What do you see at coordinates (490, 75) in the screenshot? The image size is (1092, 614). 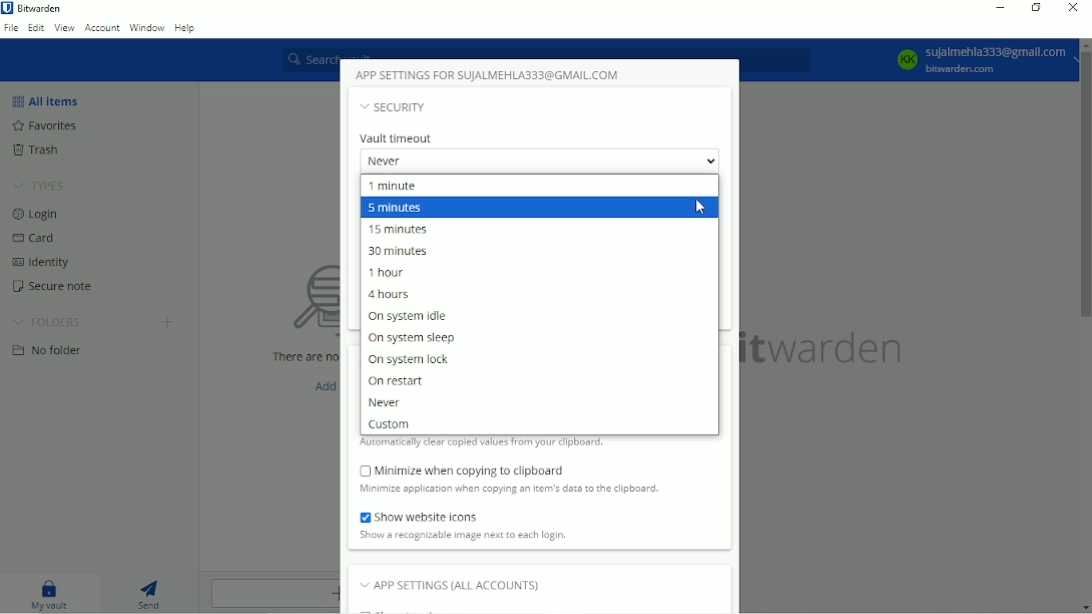 I see `App settings for SUJALMEHLA333@GMAIL.COM` at bounding box center [490, 75].